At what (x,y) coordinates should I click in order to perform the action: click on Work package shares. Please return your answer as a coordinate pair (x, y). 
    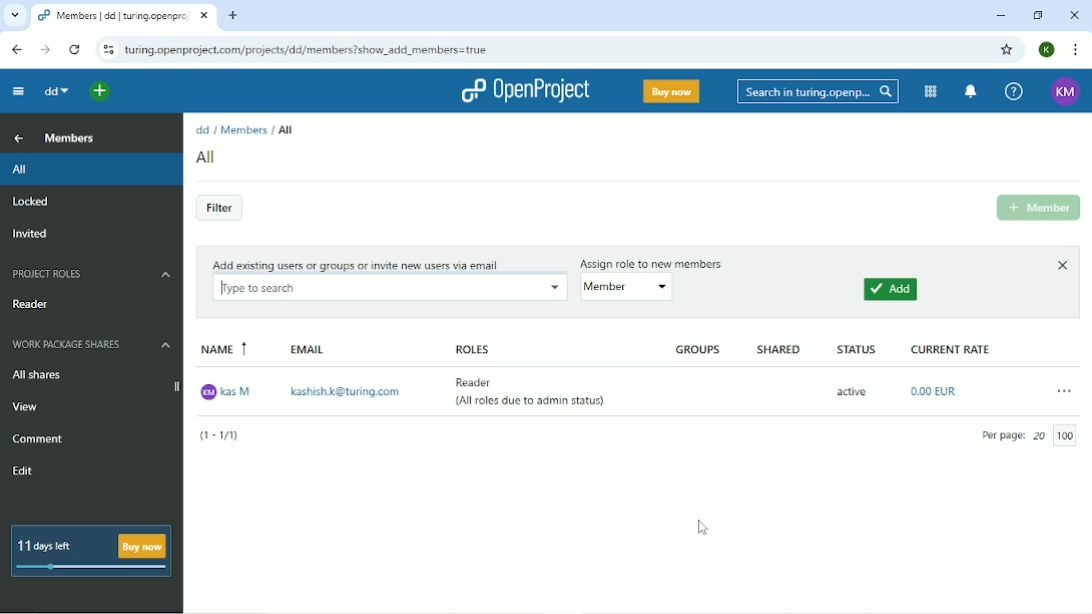
    Looking at the image, I should click on (92, 345).